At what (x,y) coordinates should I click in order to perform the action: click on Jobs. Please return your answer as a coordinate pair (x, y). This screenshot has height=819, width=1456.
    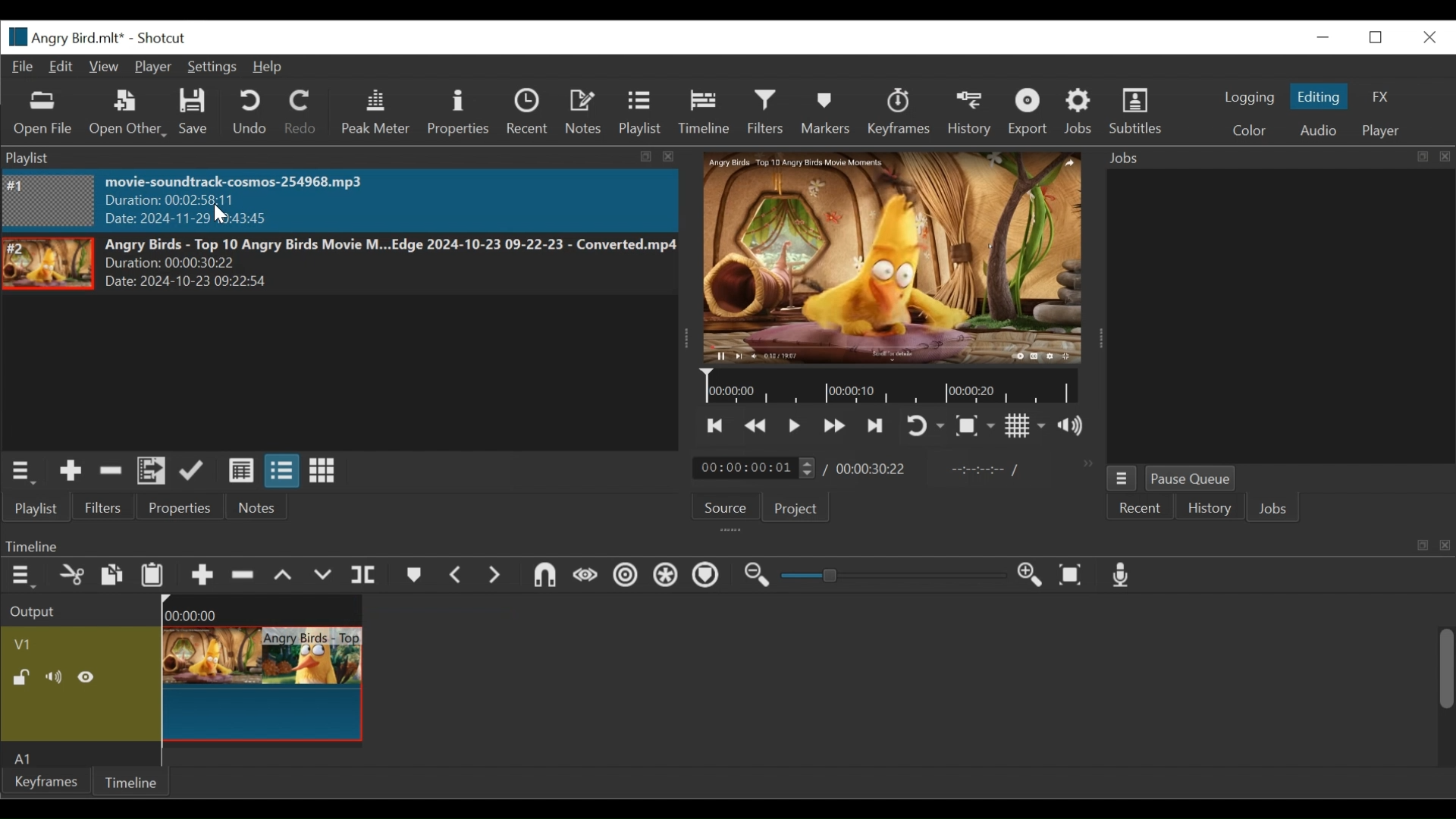
    Looking at the image, I should click on (1276, 508).